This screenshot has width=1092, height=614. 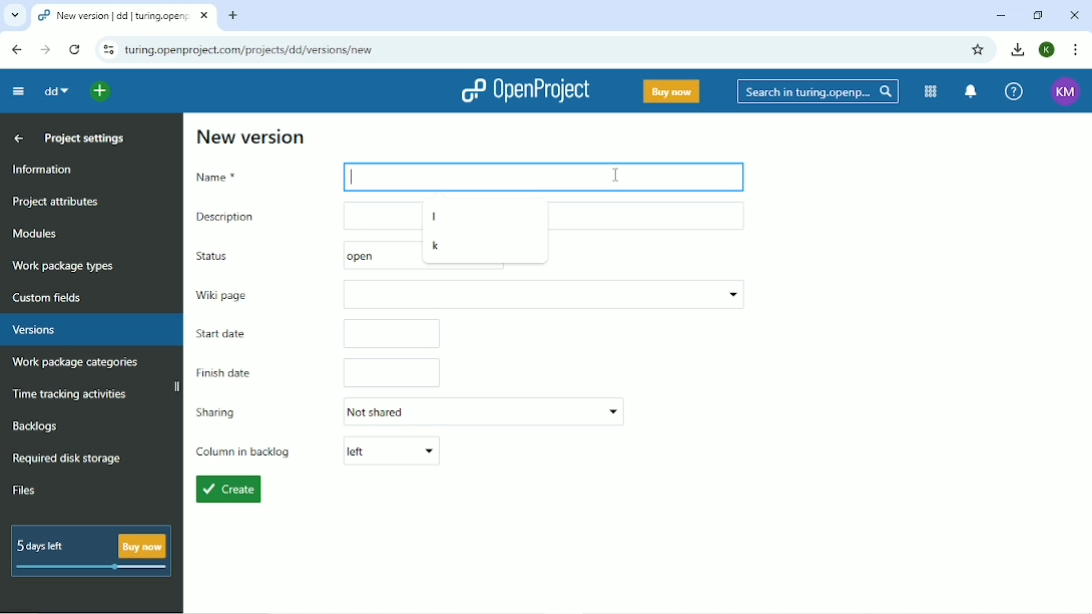 What do you see at coordinates (33, 426) in the screenshot?
I see `Backlogs` at bounding box center [33, 426].